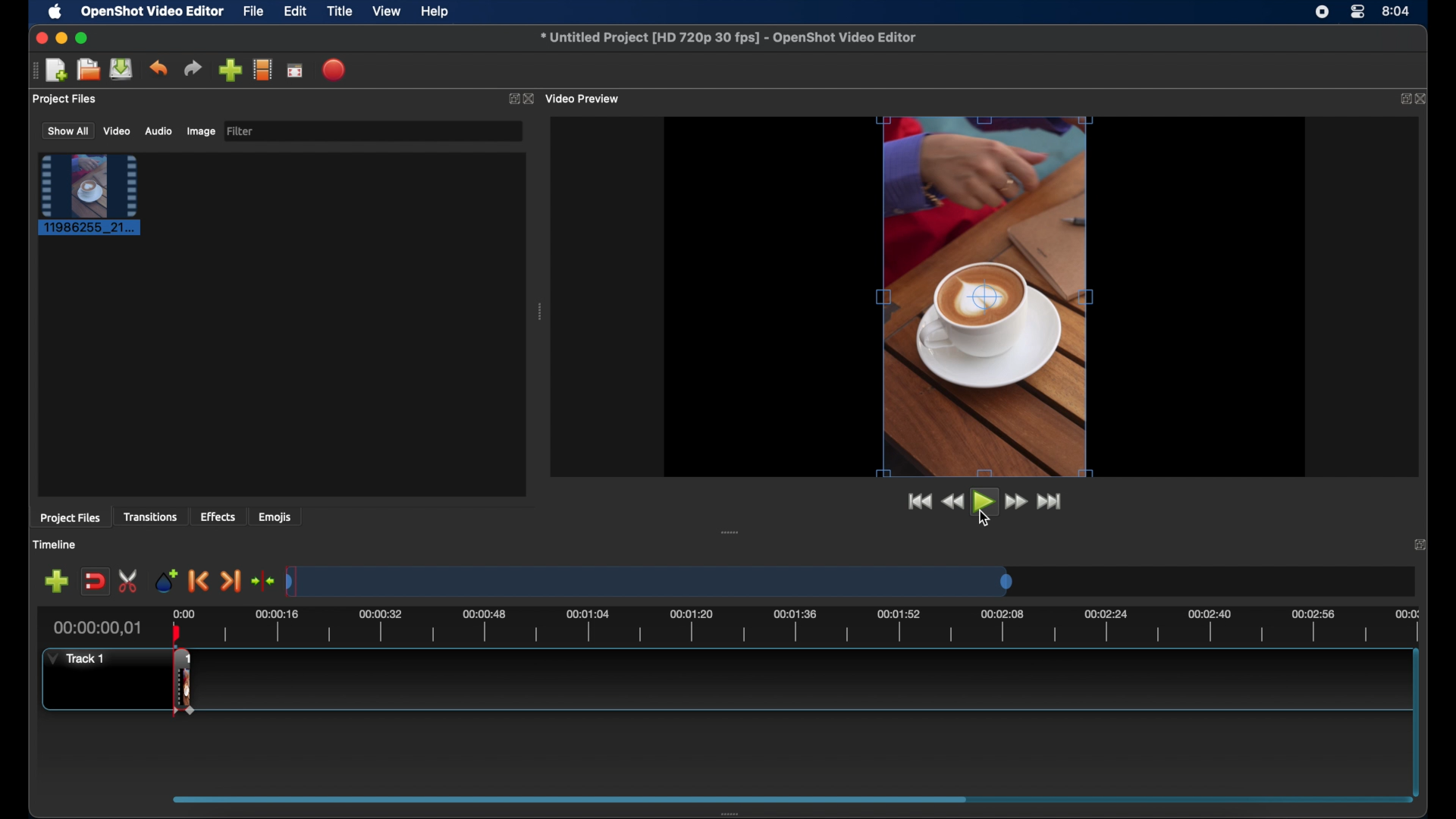 The height and width of the screenshot is (819, 1456). What do you see at coordinates (1017, 501) in the screenshot?
I see `fastfoward` at bounding box center [1017, 501].